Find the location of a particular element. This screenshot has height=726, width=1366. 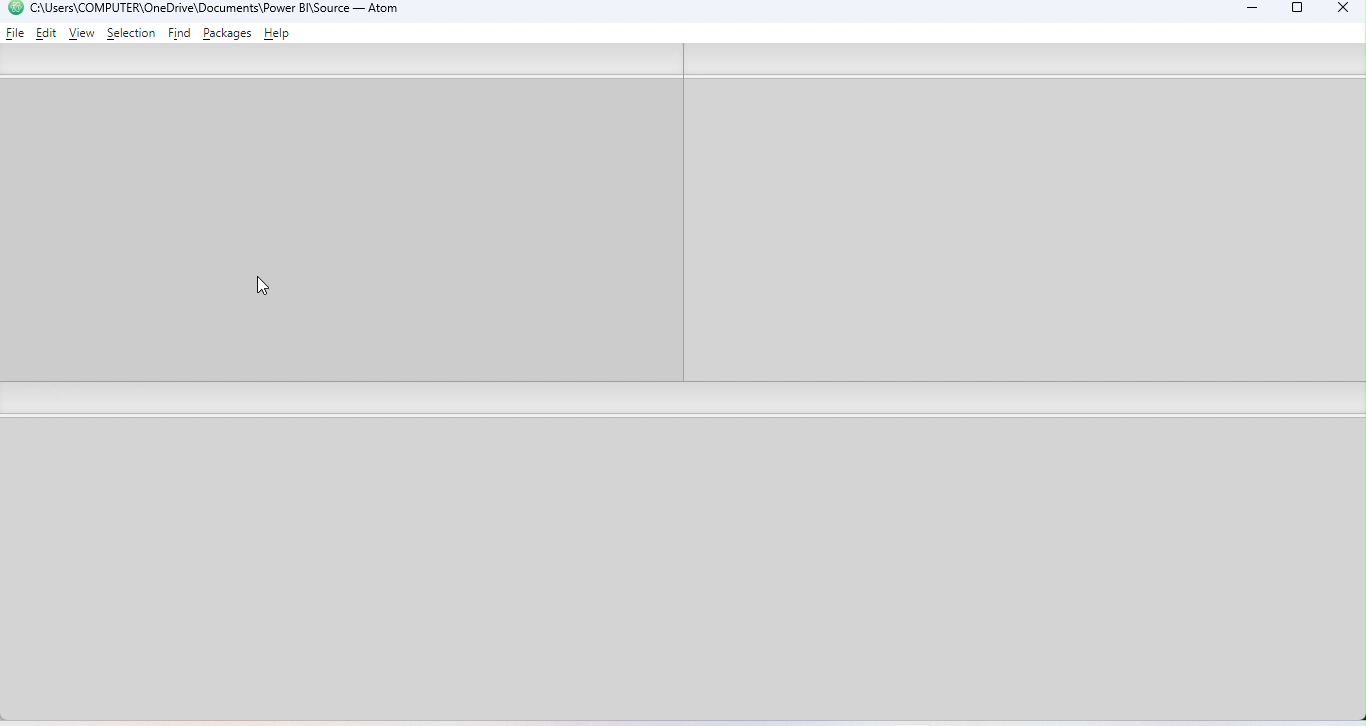

Pane 2 is located at coordinates (1022, 231).